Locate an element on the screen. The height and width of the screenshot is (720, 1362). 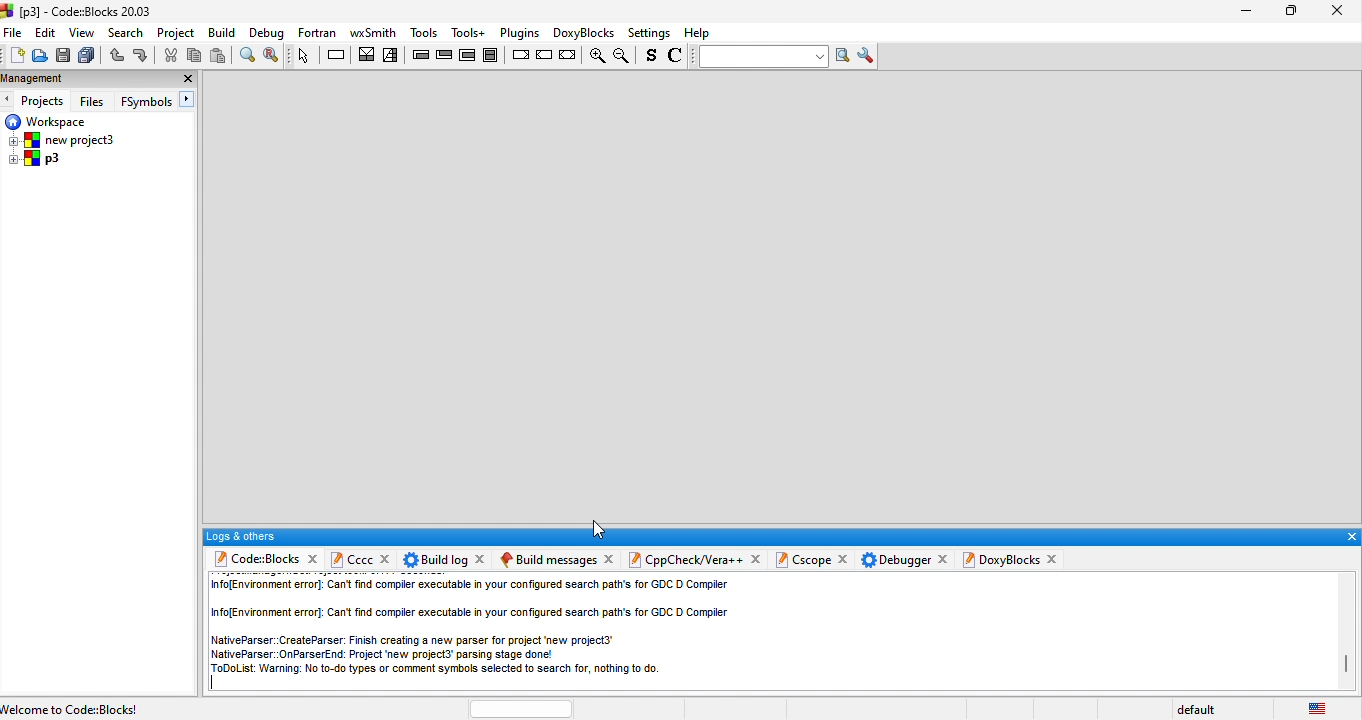
message panel appeared is located at coordinates (546, 559).